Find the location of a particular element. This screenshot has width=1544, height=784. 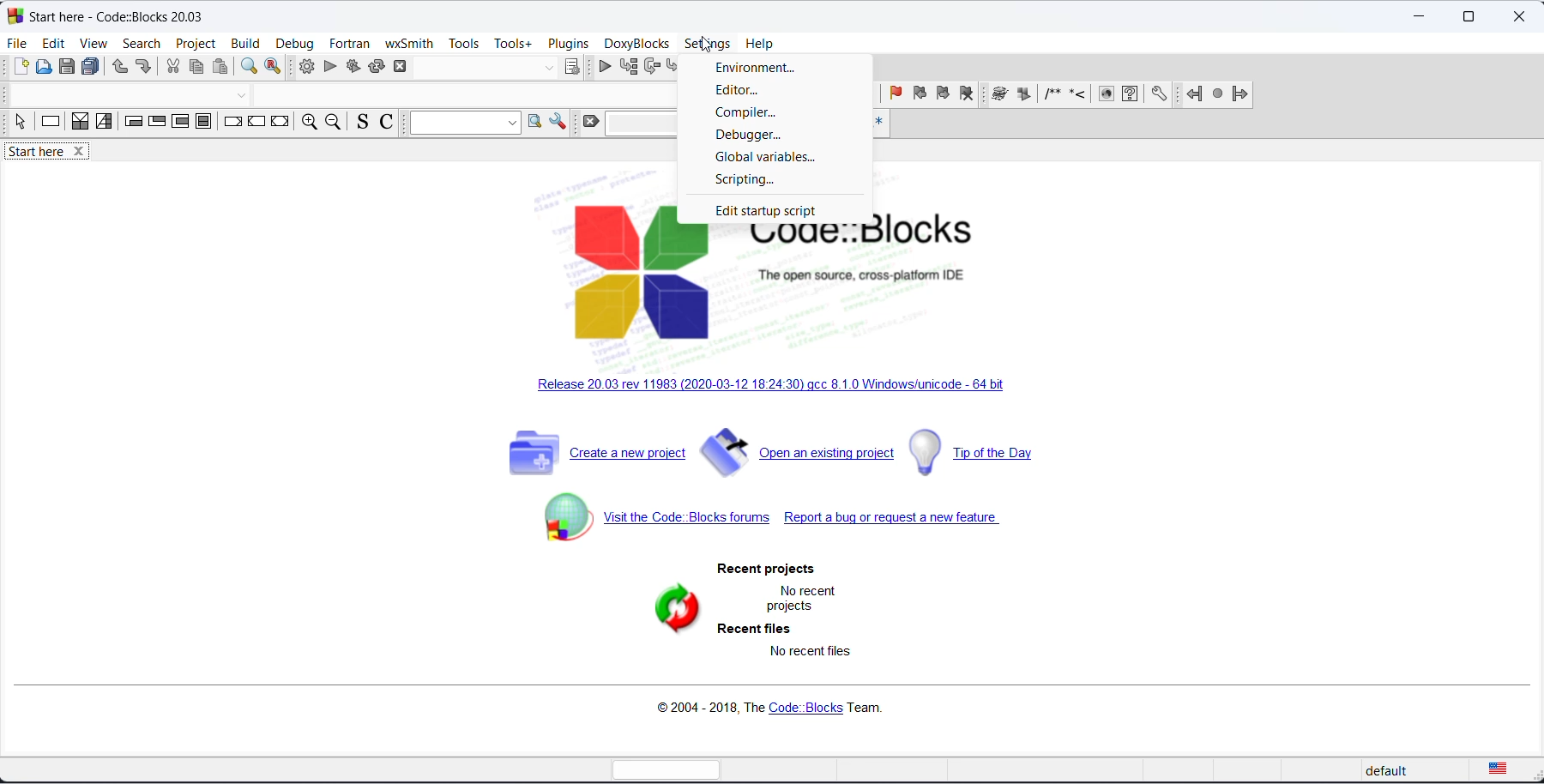

view is located at coordinates (96, 44).